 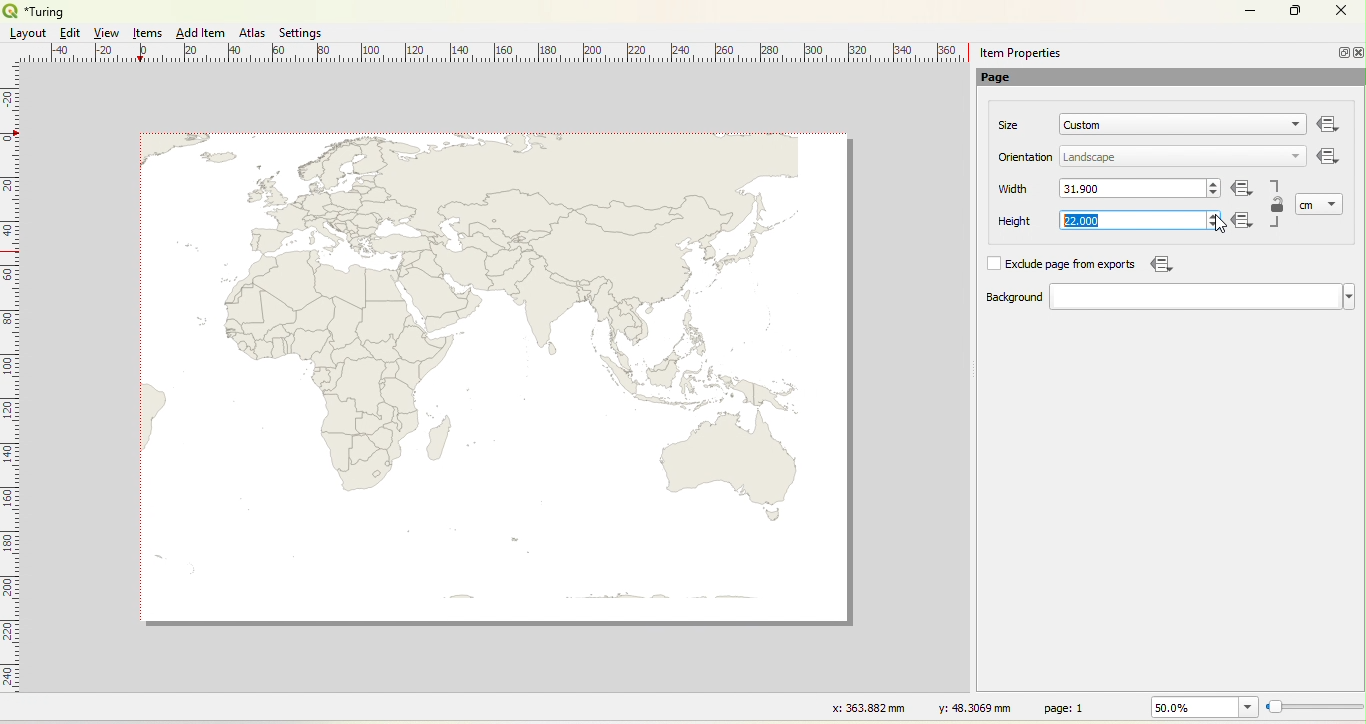 What do you see at coordinates (968, 707) in the screenshot?
I see `y: 48.3069 mm` at bounding box center [968, 707].